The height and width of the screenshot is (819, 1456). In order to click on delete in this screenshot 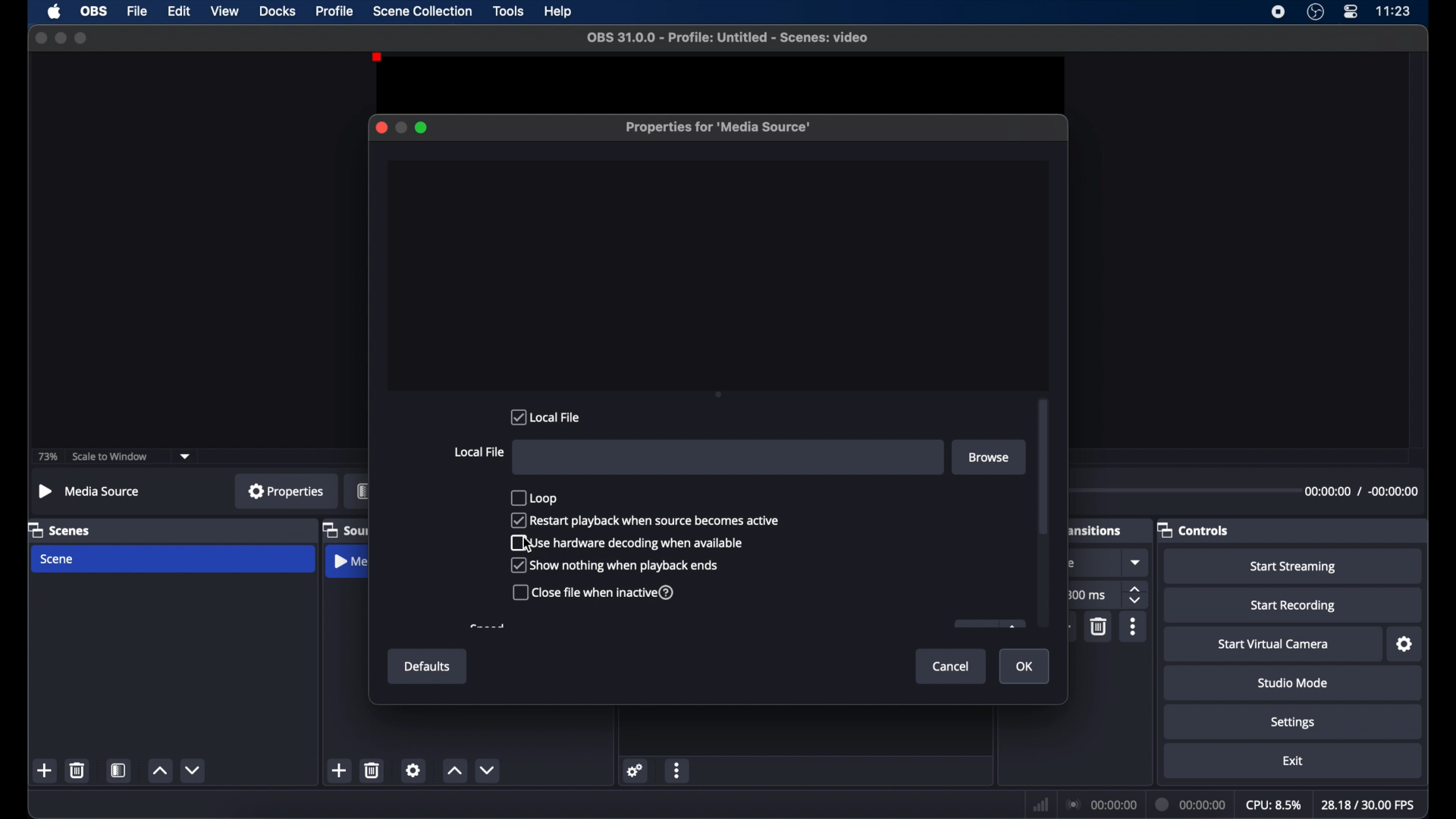, I will do `click(372, 770)`.